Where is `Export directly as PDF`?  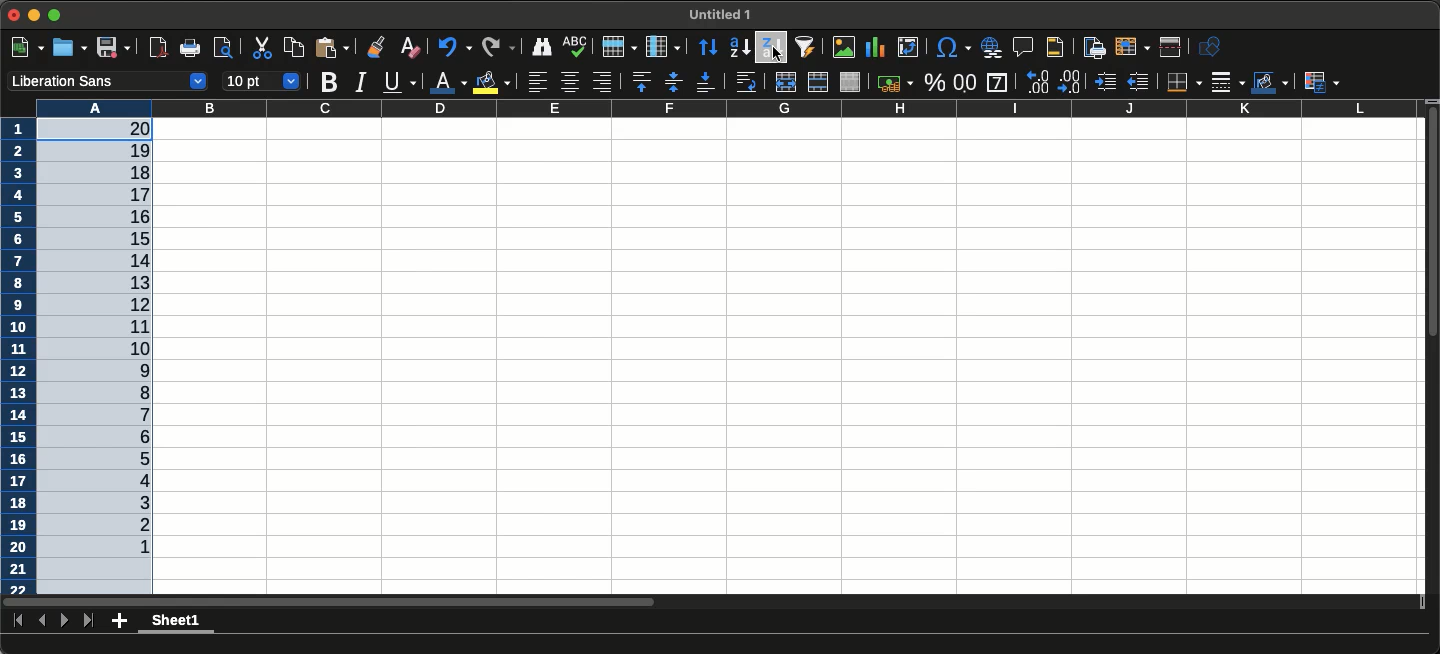
Export directly as PDF is located at coordinates (157, 49).